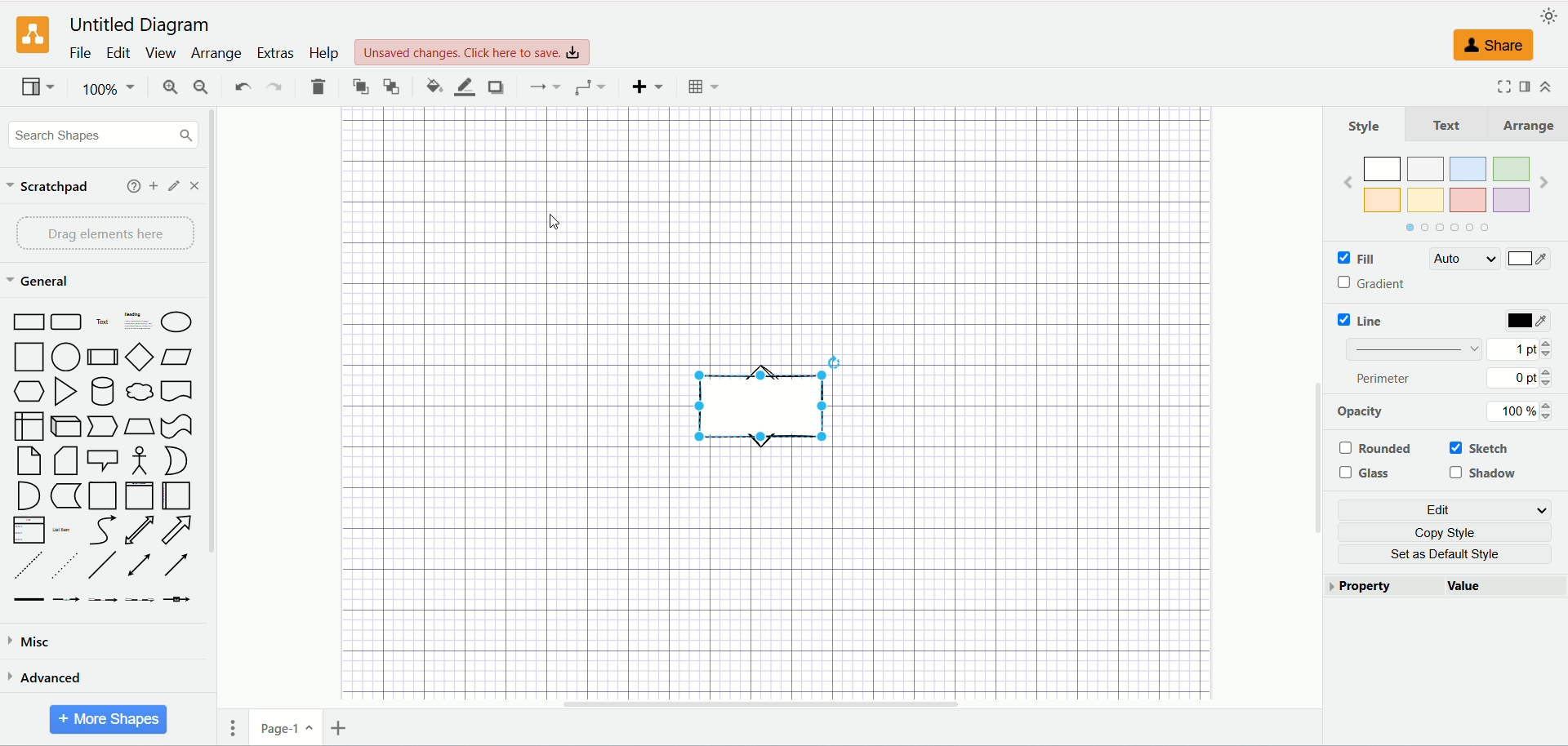 The image size is (1568, 746). What do you see at coordinates (180, 461) in the screenshot?
I see `Or` at bounding box center [180, 461].